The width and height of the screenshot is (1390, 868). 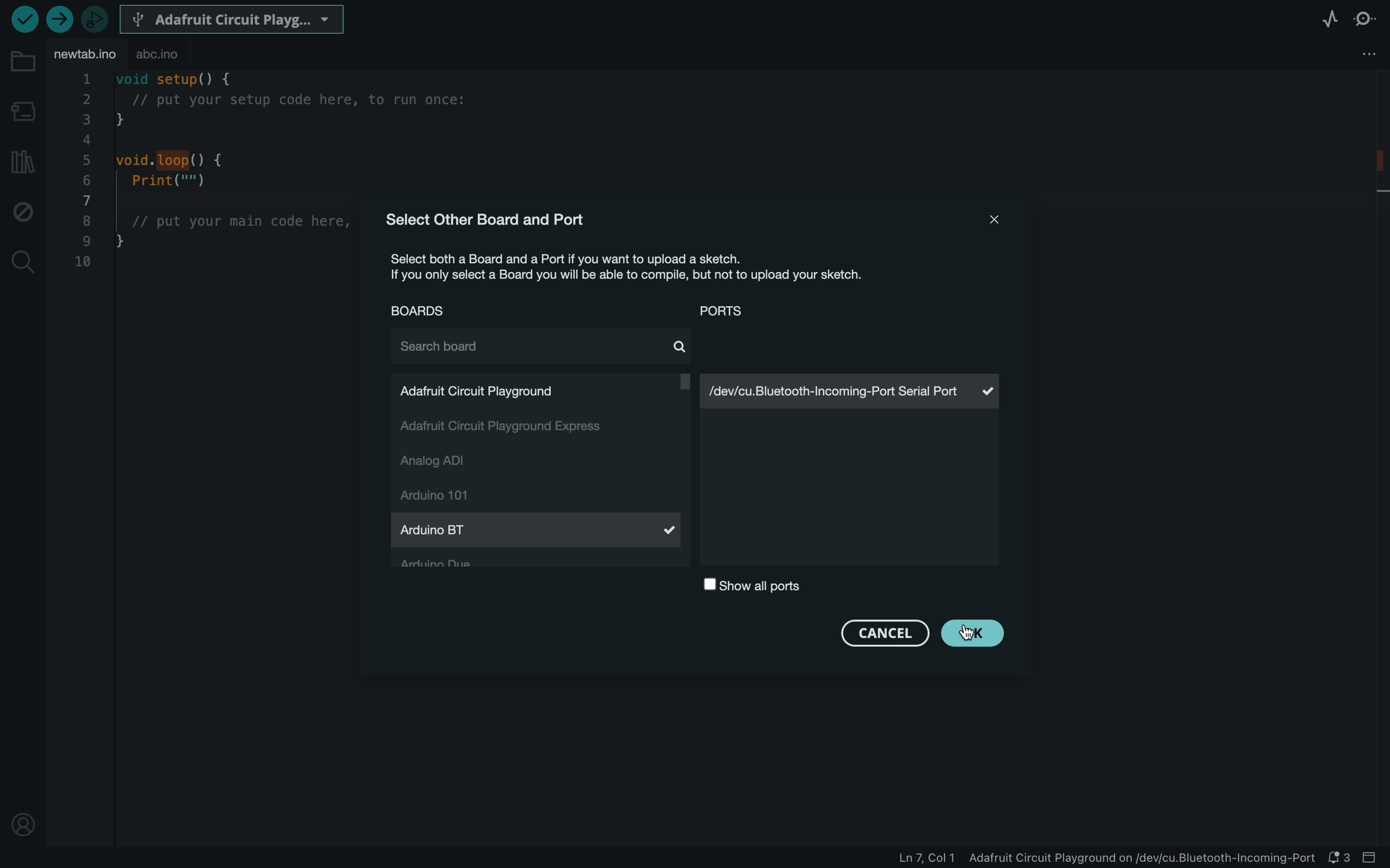 I want to click on debug, so click(x=22, y=209).